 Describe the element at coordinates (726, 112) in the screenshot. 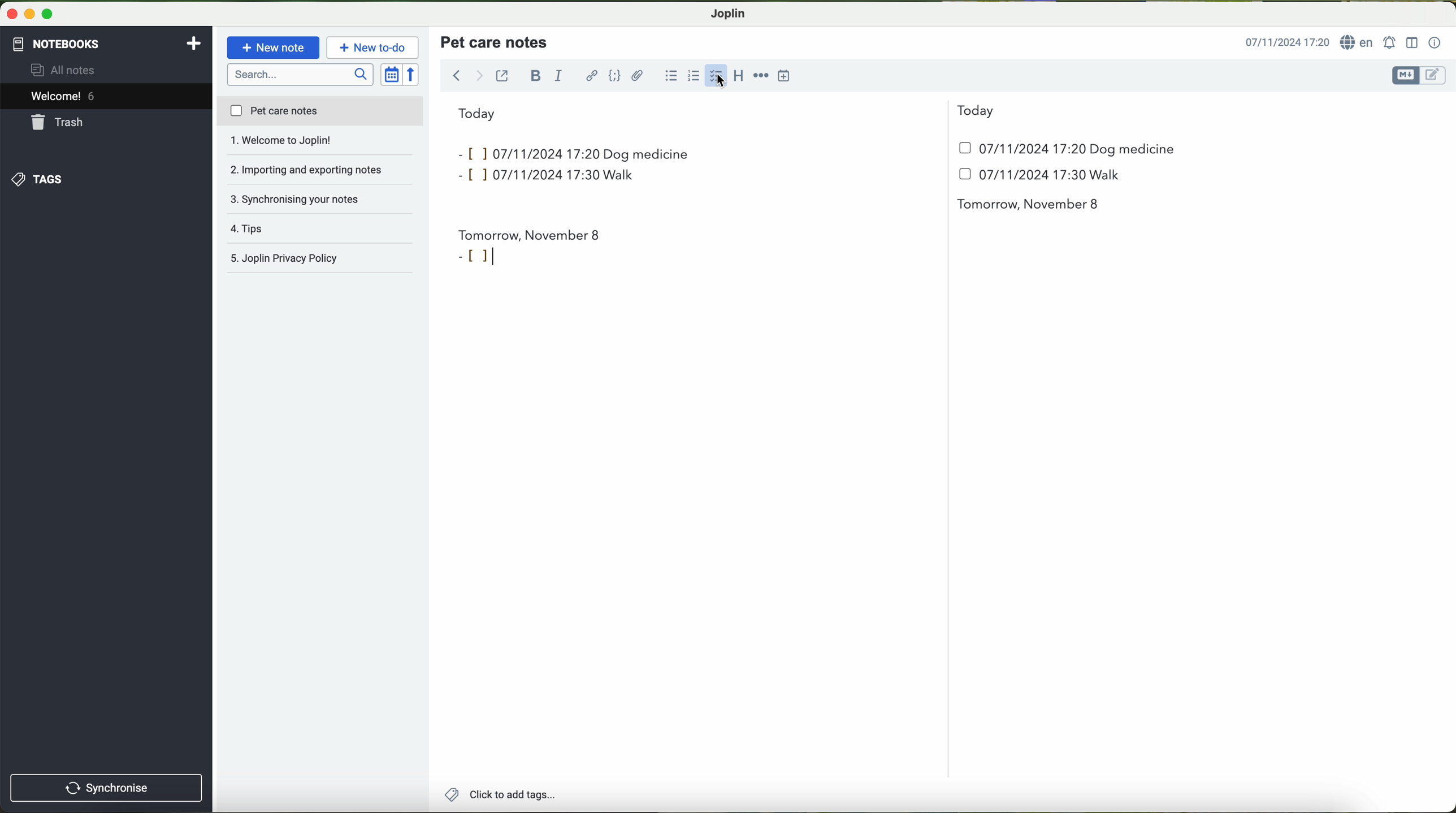

I see `today` at that location.